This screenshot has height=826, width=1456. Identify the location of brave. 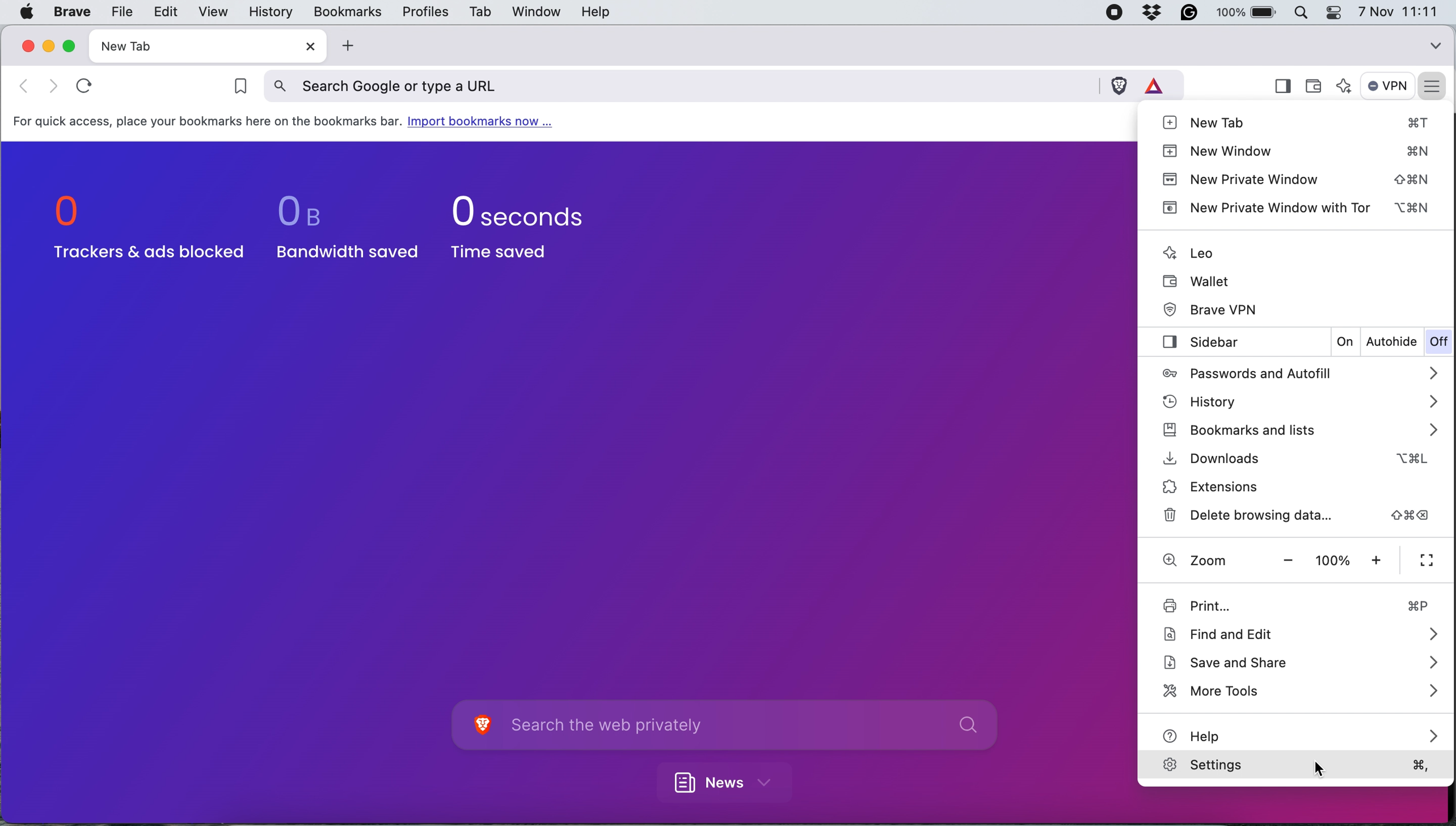
(73, 12).